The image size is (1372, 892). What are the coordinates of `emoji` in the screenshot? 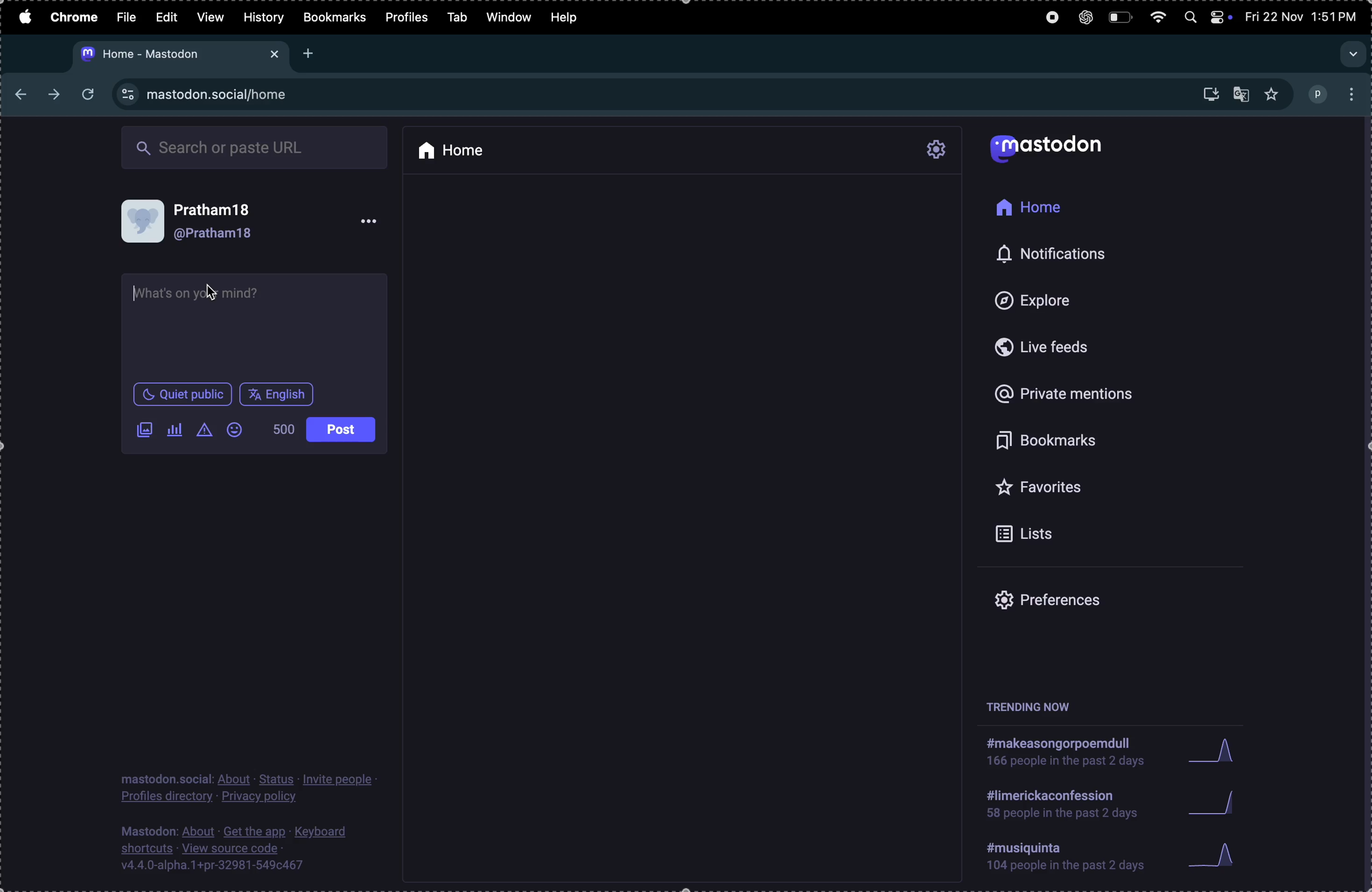 It's located at (239, 430).